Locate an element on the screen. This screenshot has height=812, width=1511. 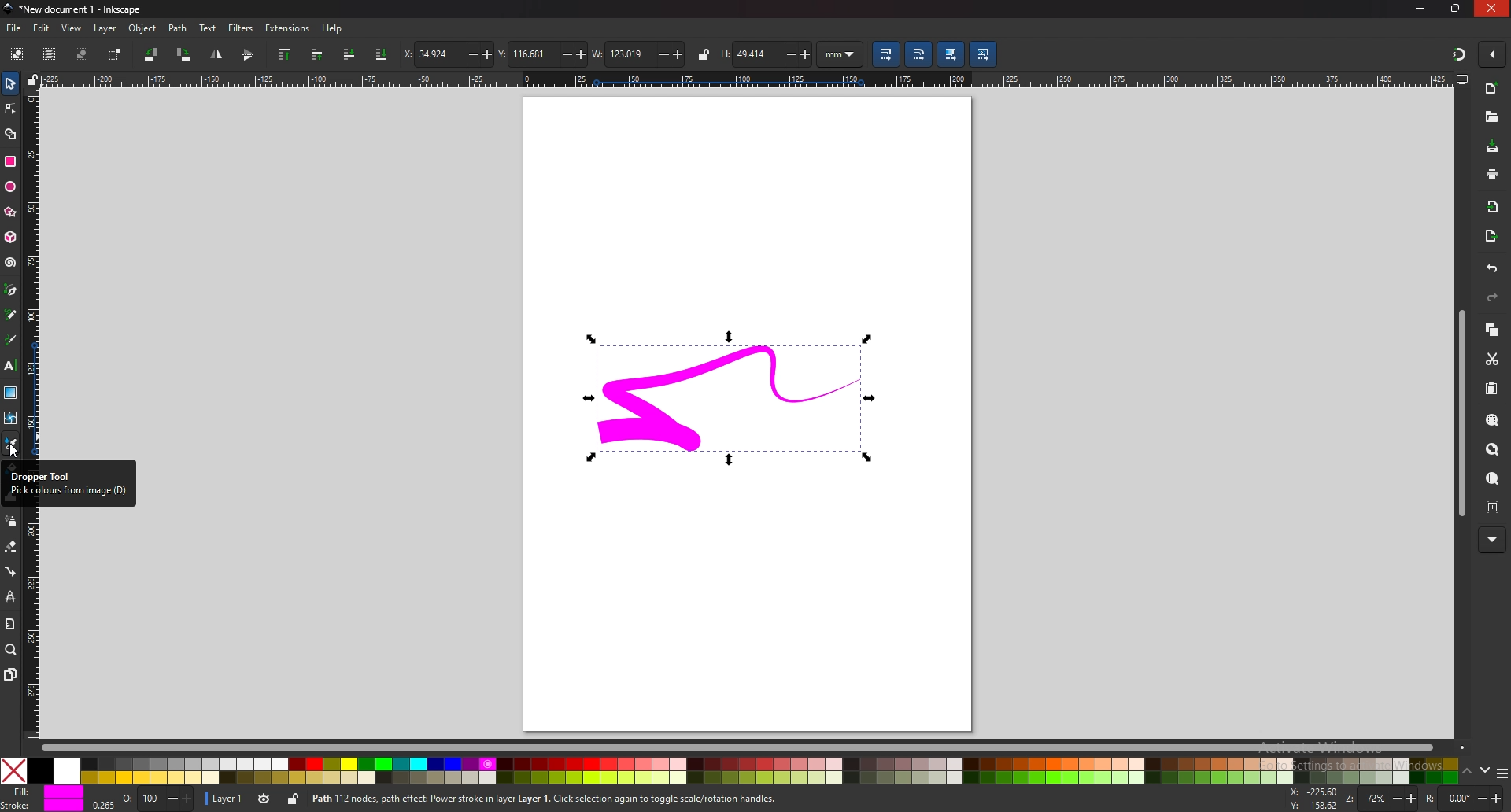
tooltip is located at coordinates (71, 481).